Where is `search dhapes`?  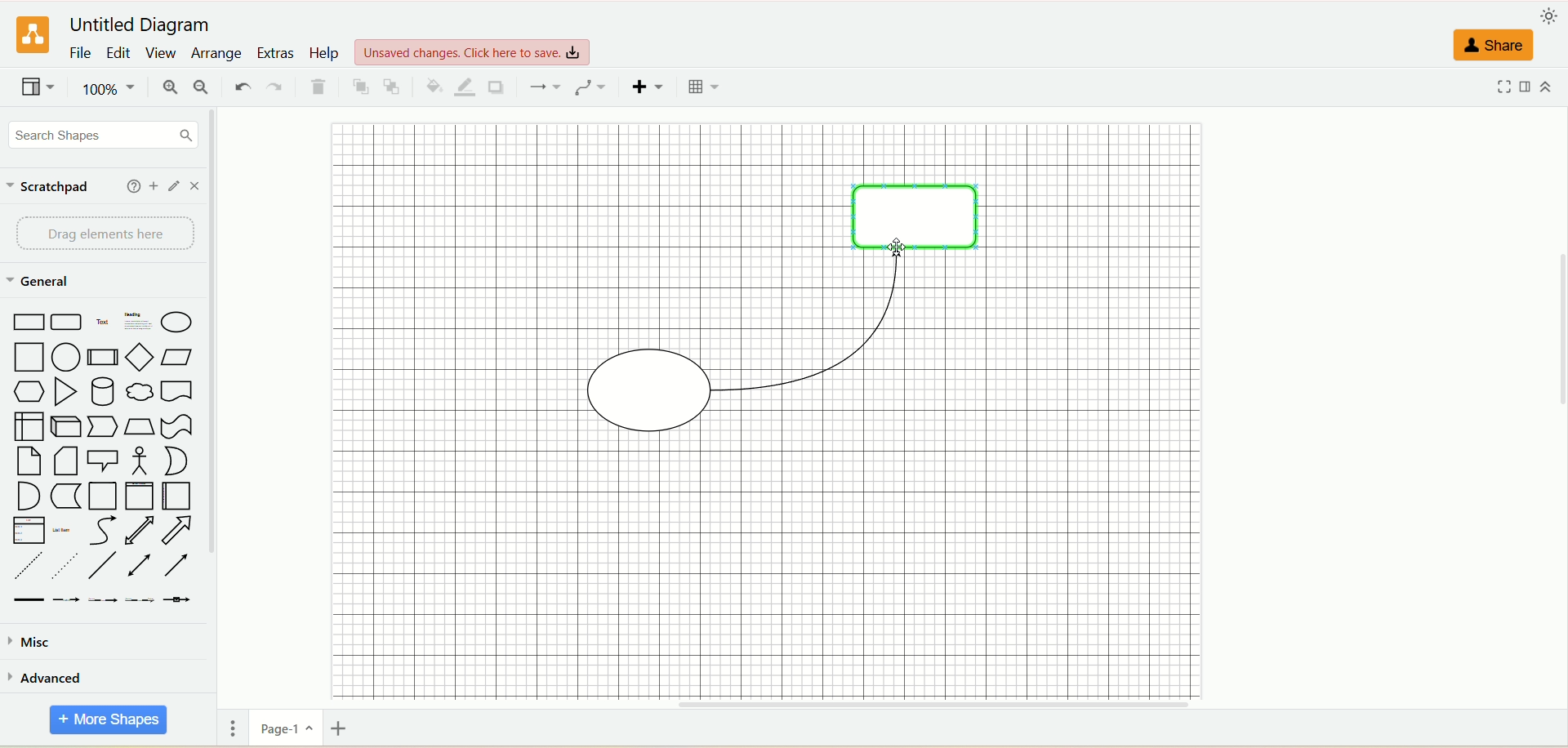 search dhapes is located at coordinates (99, 136).